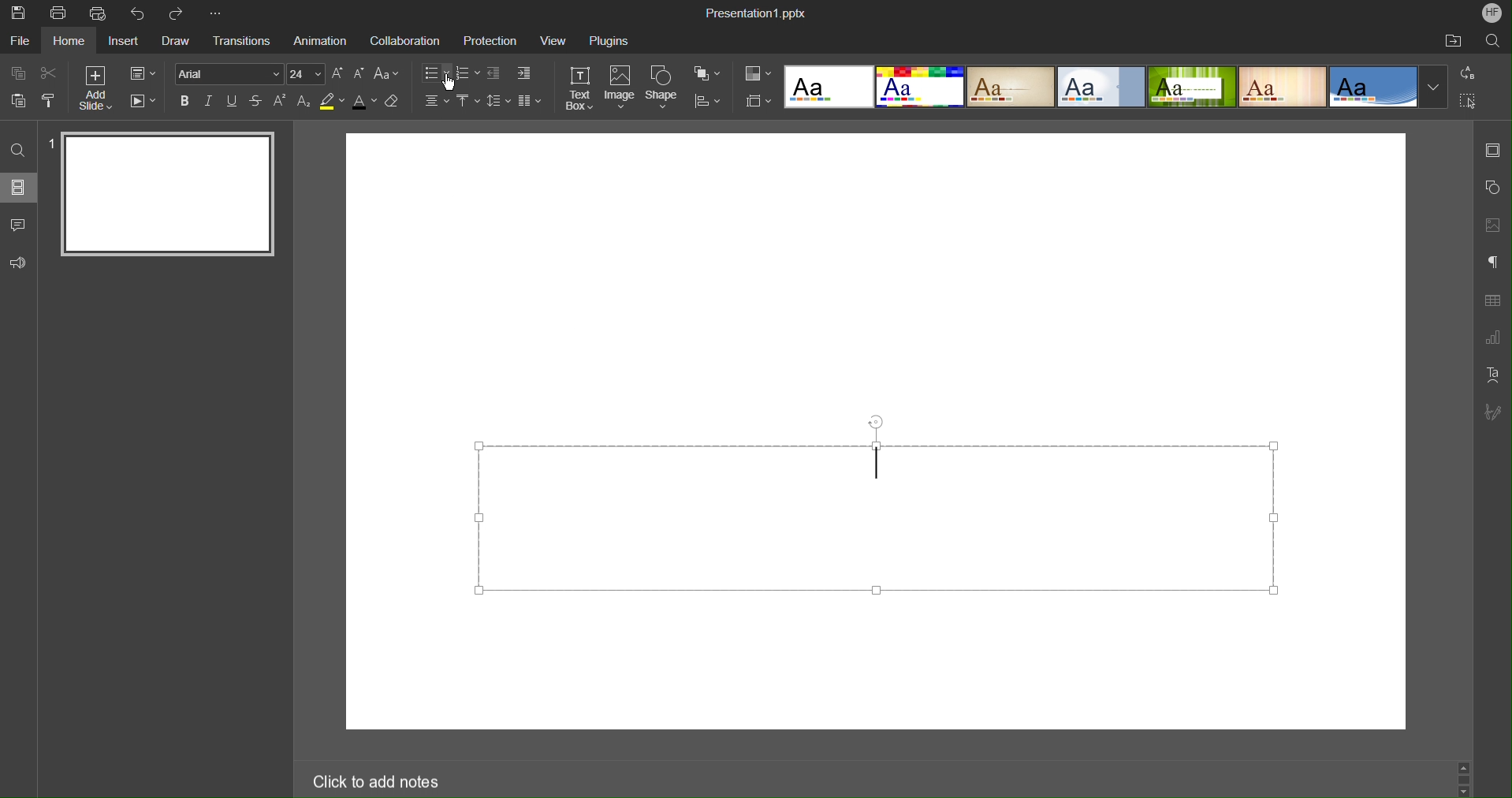 This screenshot has height=798, width=1512. Describe the element at coordinates (758, 73) in the screenshot. I see `Color` at that location.